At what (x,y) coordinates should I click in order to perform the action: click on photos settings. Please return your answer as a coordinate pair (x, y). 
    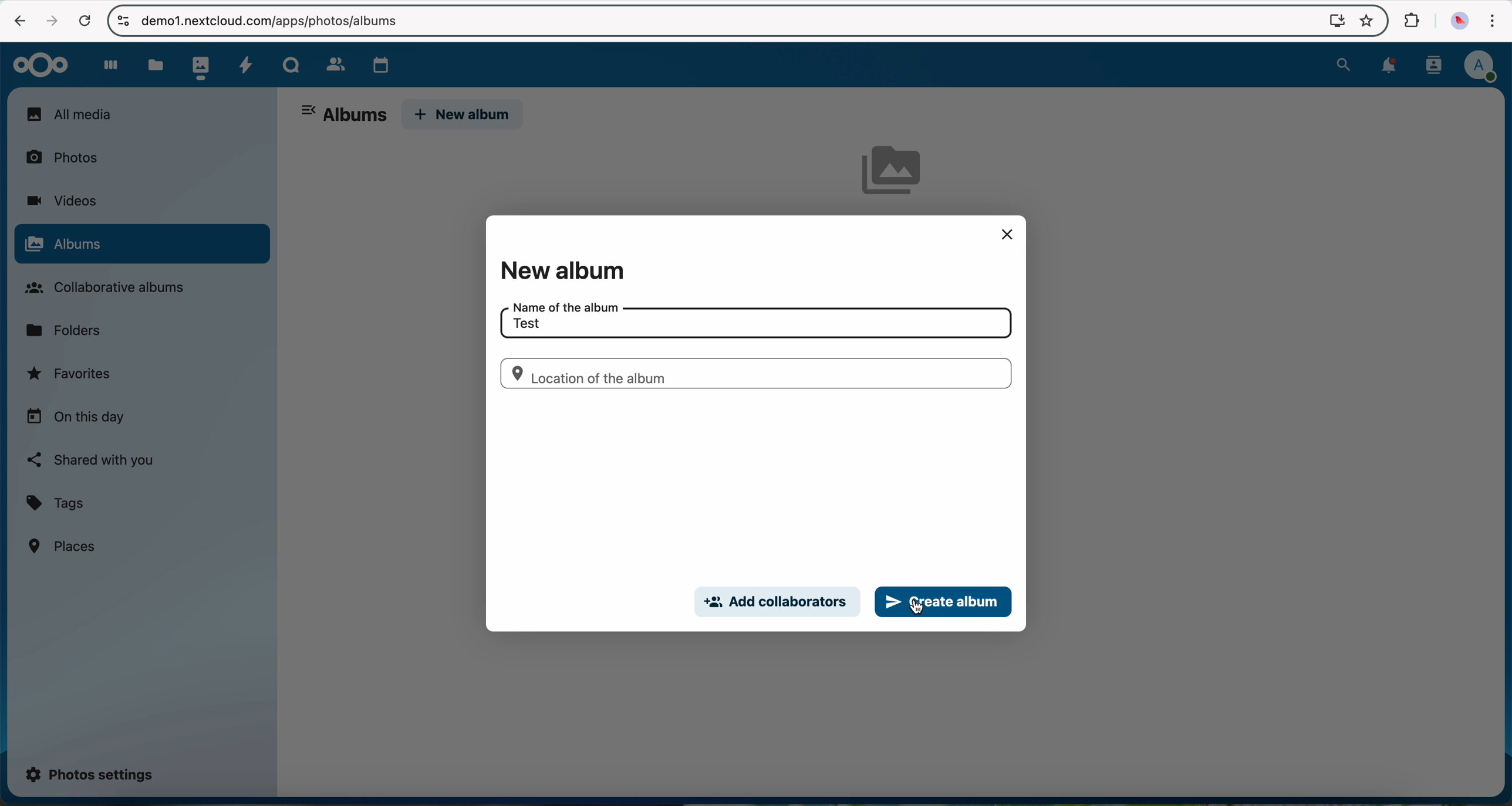
    Looking at the image, I should click on (90, 773).